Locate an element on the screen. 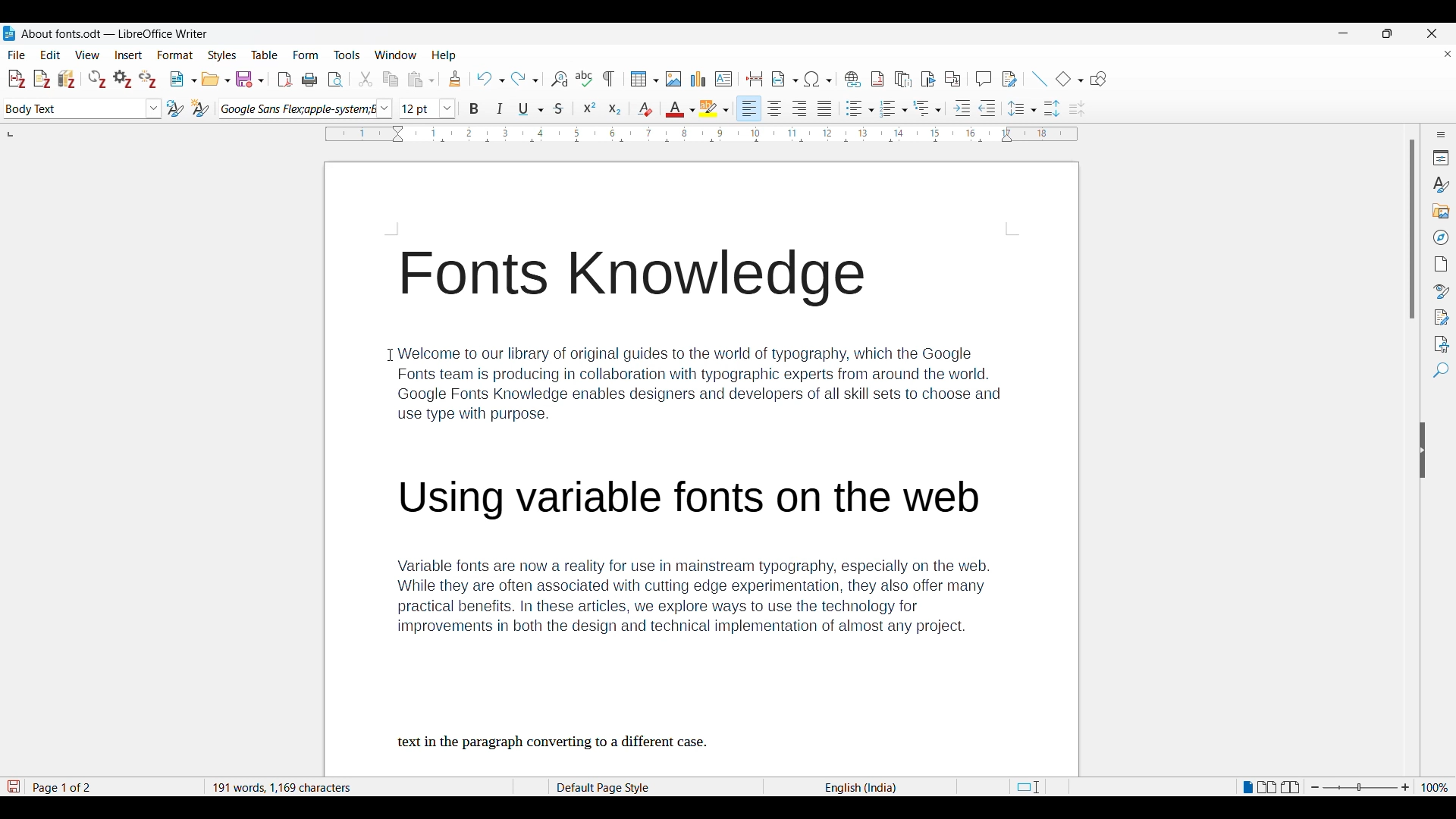 This screenshot has height=819, width=1456. Window menu is located at coordinates (396, 55).